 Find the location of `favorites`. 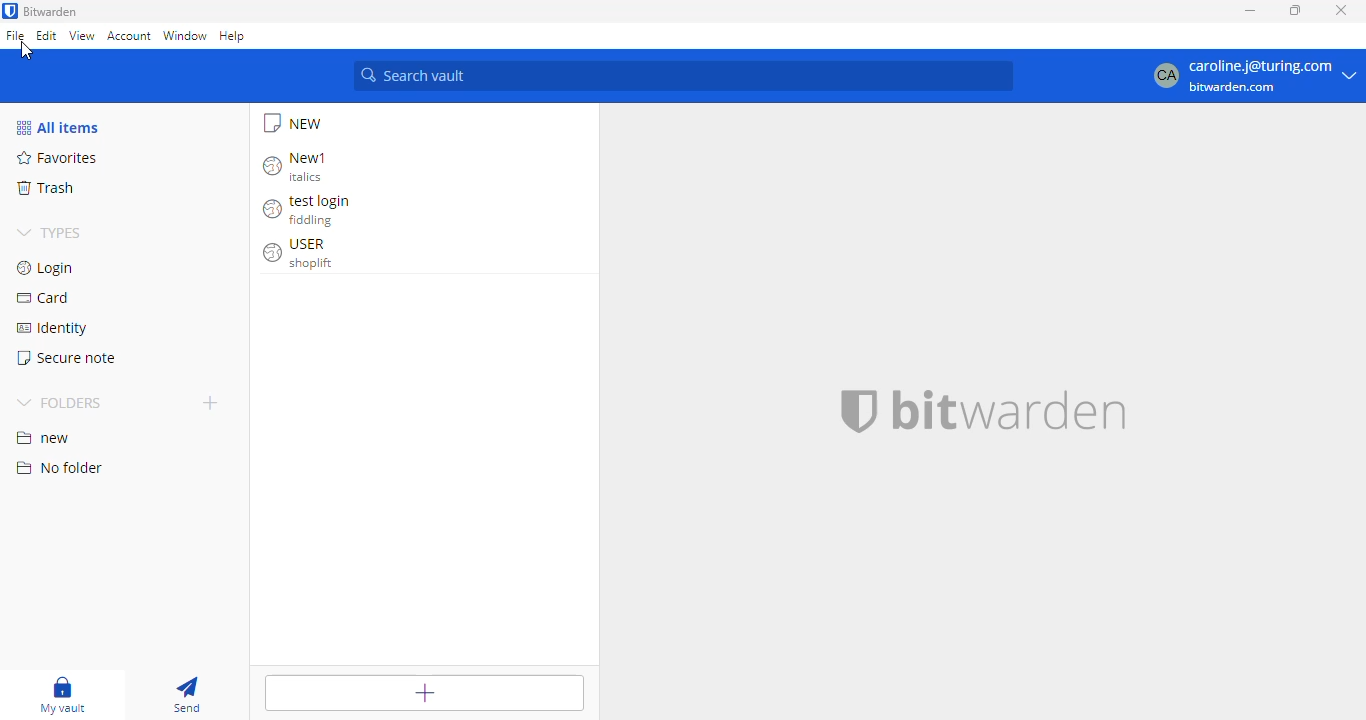

favorites is located at coordinates (57, 158).